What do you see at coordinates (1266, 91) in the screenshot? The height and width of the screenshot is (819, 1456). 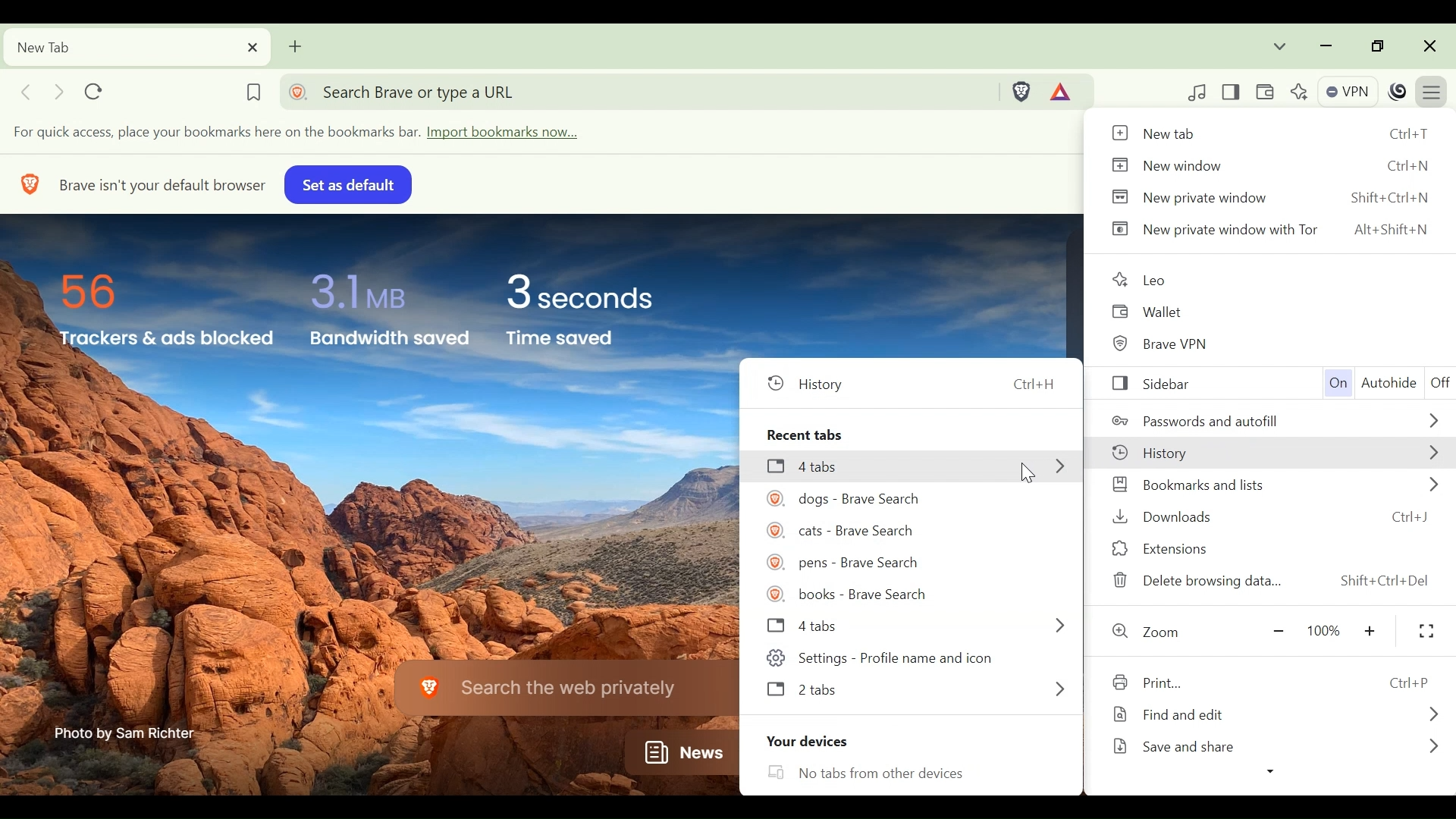 I see `Wallet` at bounding box center [1266, 91].